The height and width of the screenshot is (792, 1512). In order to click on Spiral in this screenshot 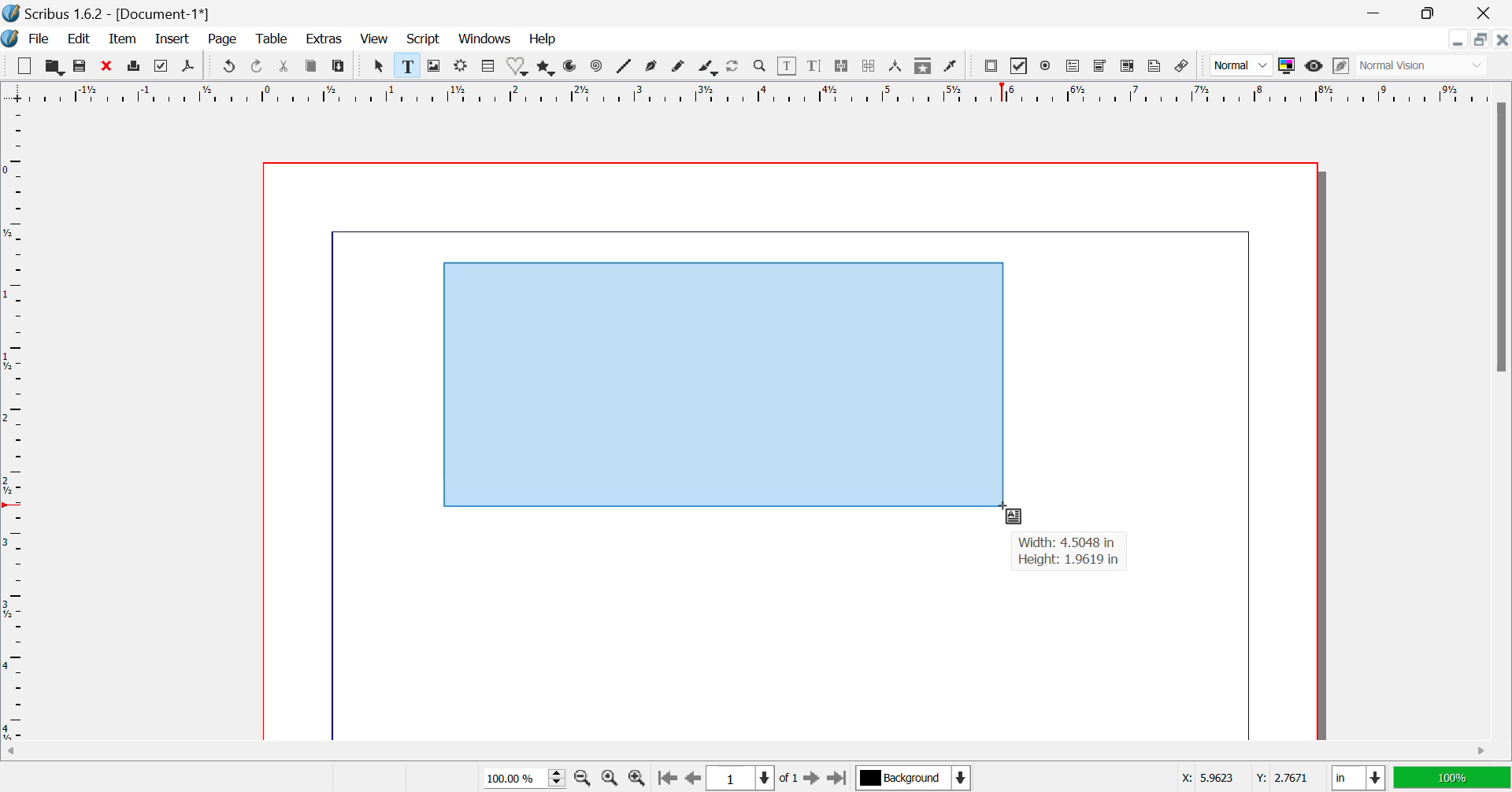, I will do `click(595, 69)`.